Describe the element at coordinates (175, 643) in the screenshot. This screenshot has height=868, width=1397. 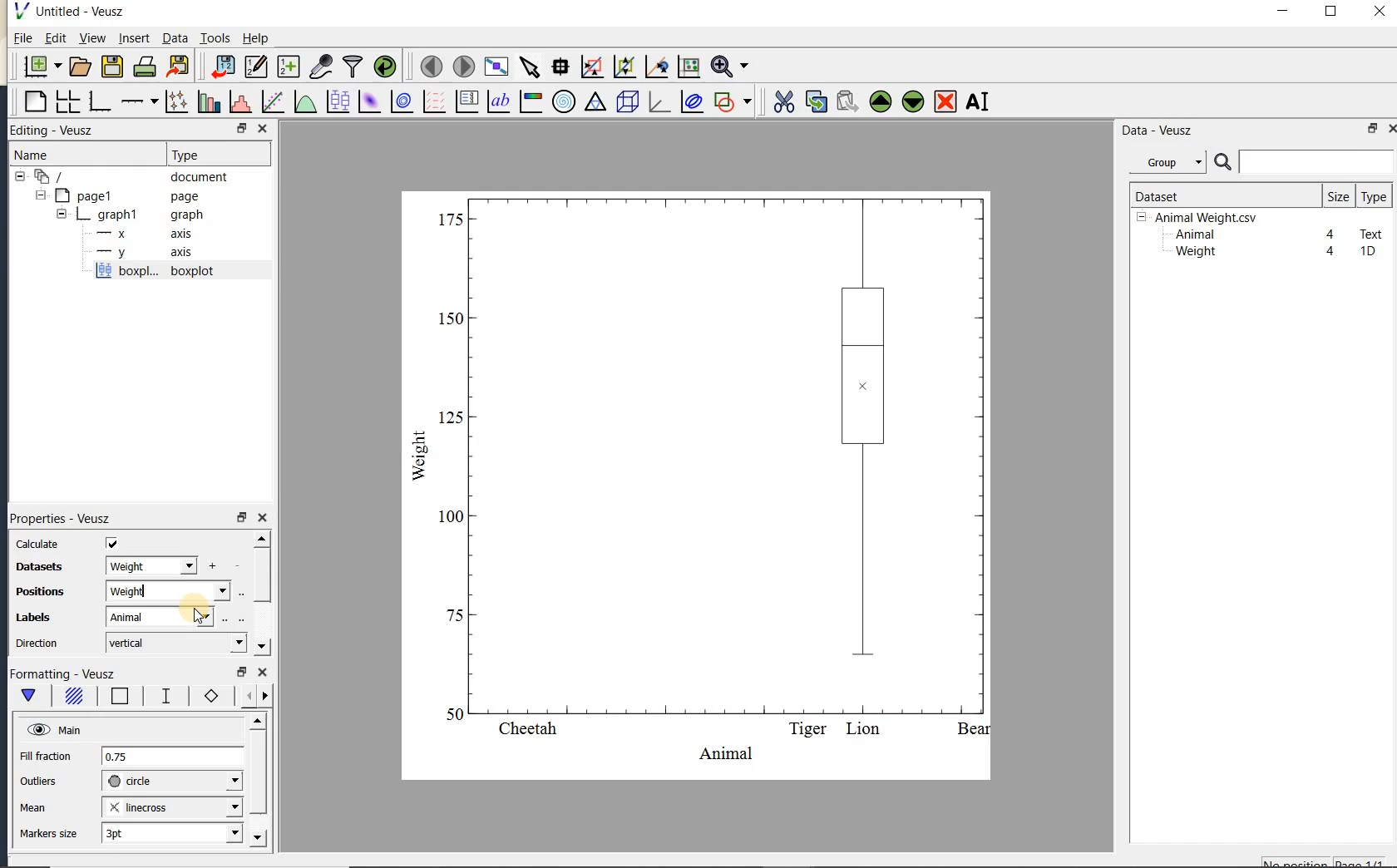
I see `vertical` at that location.